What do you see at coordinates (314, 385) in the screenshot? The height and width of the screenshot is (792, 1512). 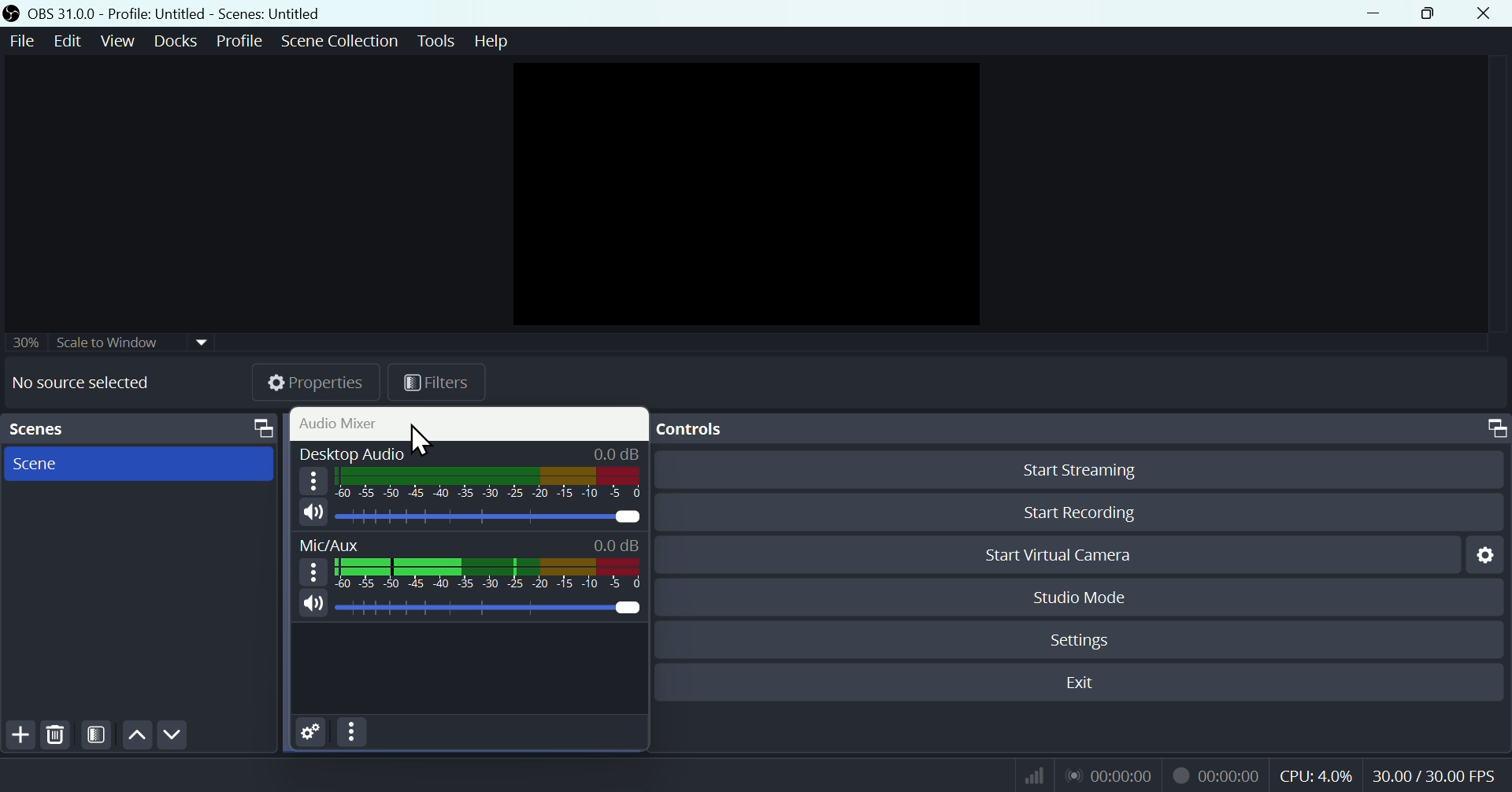 I see `Properties` at bounding box center [314, 385].